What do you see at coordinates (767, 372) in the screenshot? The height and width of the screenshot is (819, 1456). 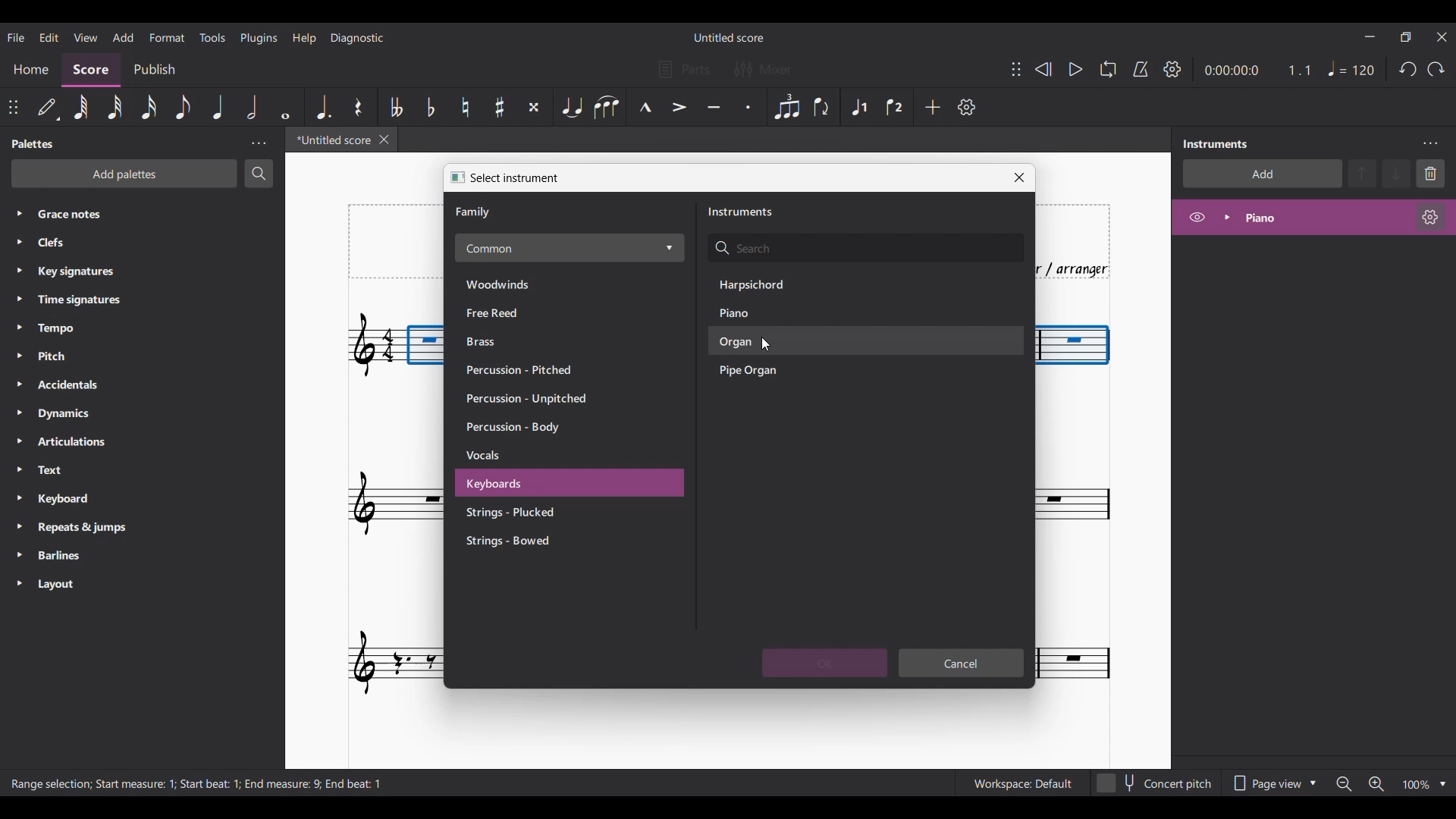 I see `Pipe Organ` at bounding box center [767, 372].